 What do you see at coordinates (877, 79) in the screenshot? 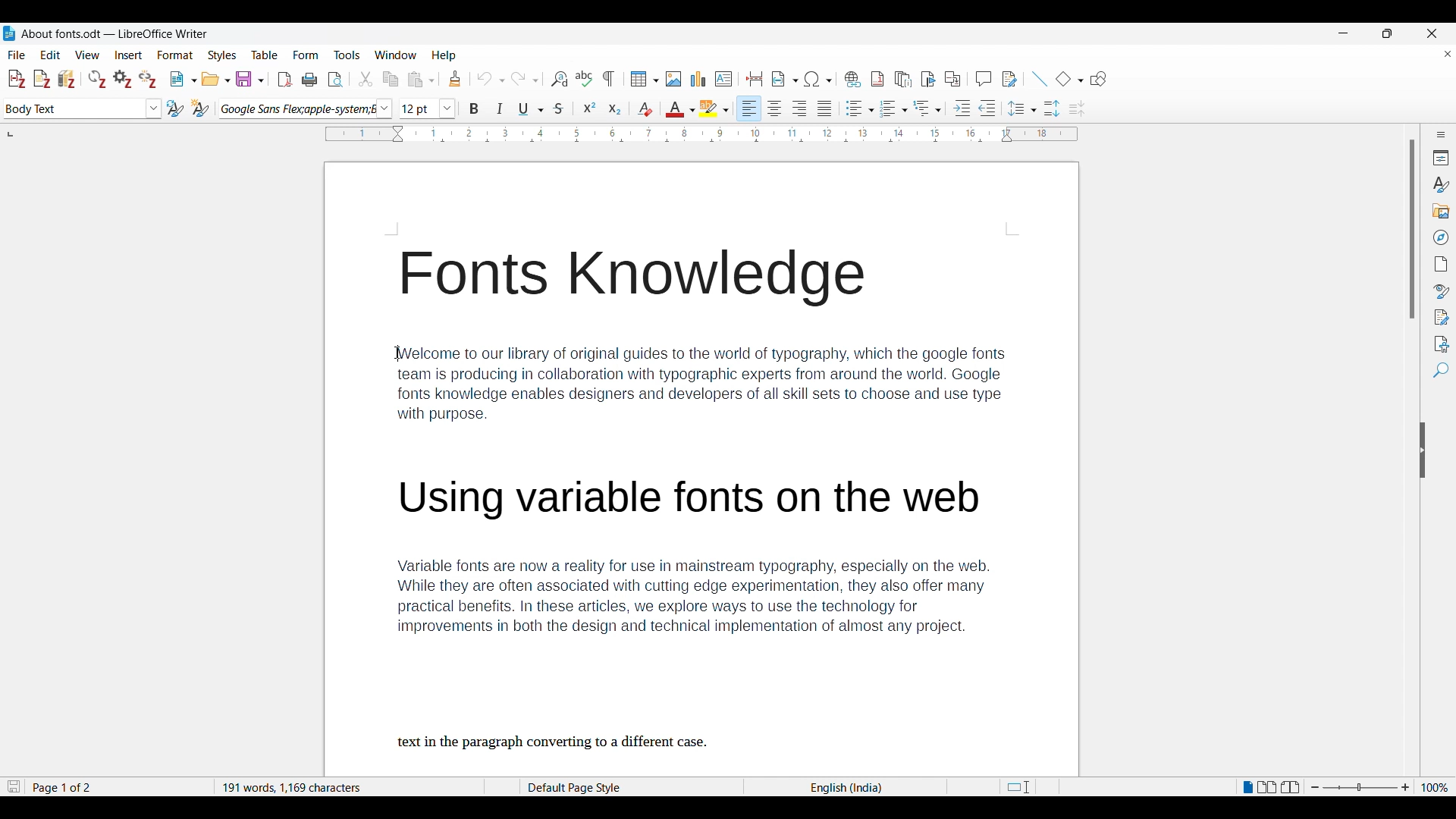
I see `Insert footnote` at bounding box center [877, 79].